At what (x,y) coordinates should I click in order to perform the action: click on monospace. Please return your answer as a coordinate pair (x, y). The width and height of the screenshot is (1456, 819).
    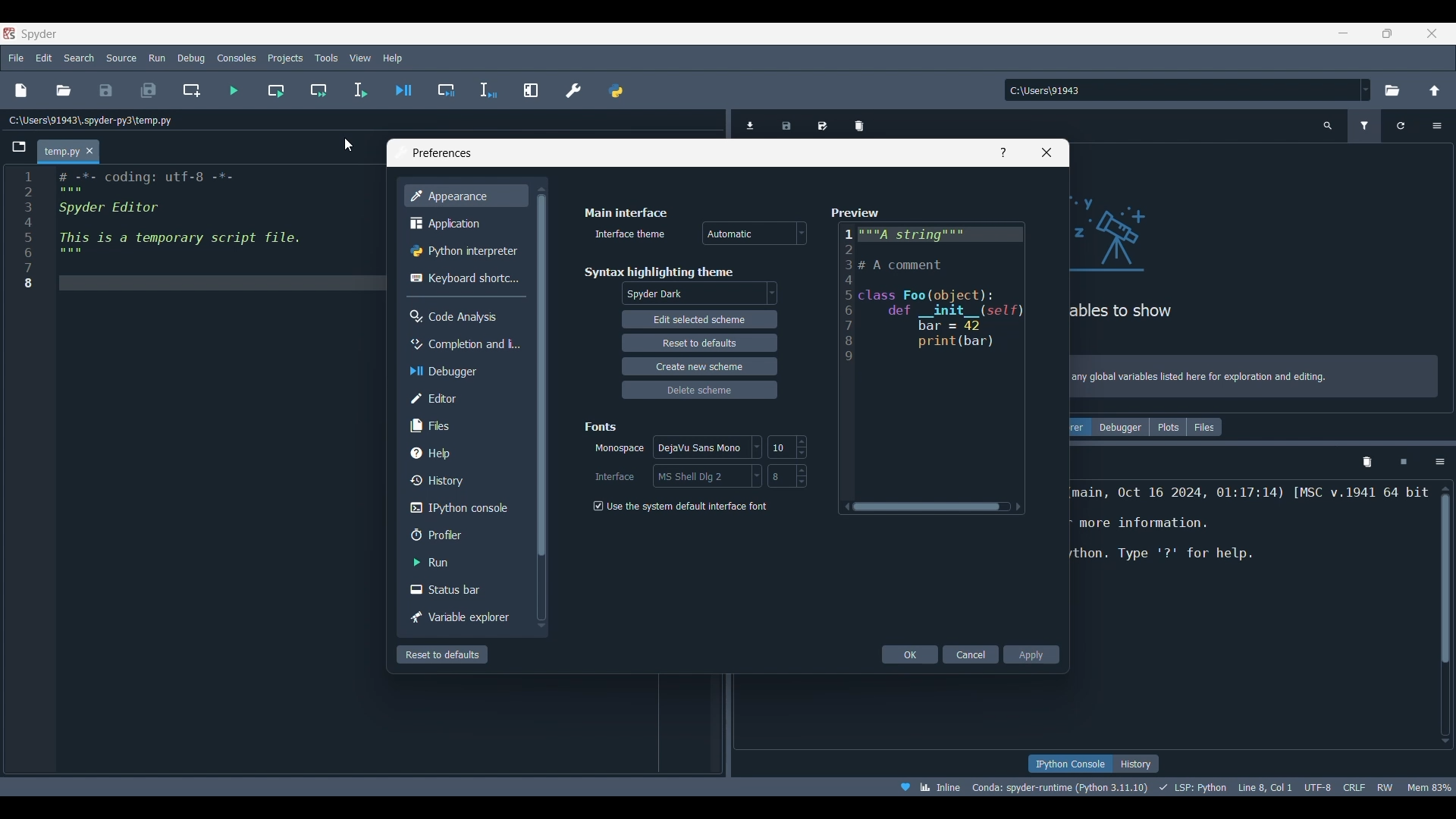
    Looking at the image, I should click on (704, 447).